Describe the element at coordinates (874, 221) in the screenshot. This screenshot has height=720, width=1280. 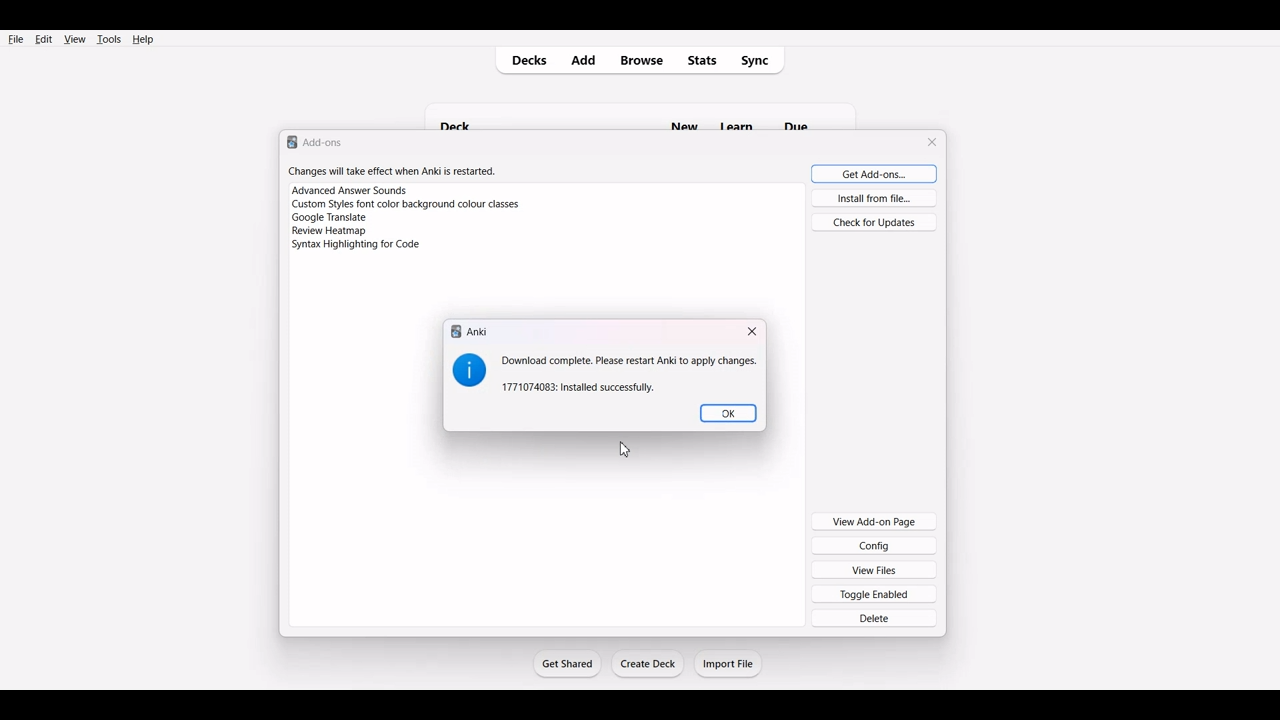
I see `Check for Updates` at that location.